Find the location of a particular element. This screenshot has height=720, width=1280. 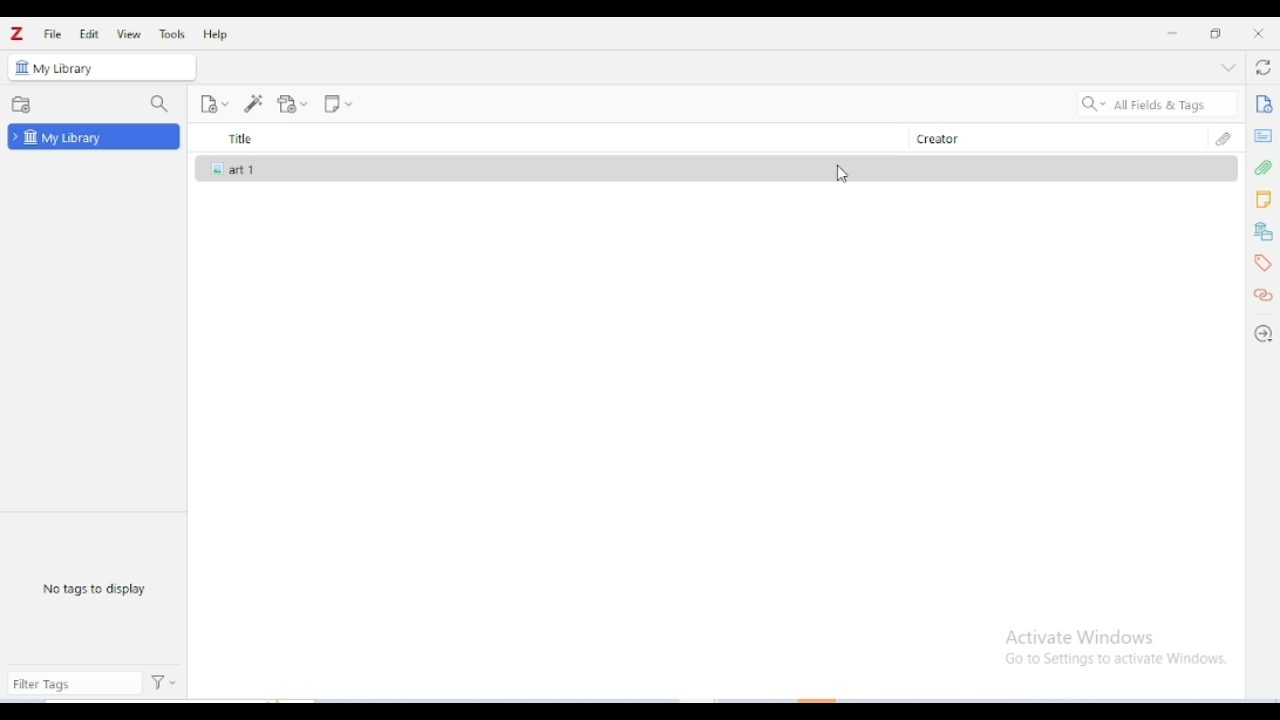

help is located at coordinates (217, 34).